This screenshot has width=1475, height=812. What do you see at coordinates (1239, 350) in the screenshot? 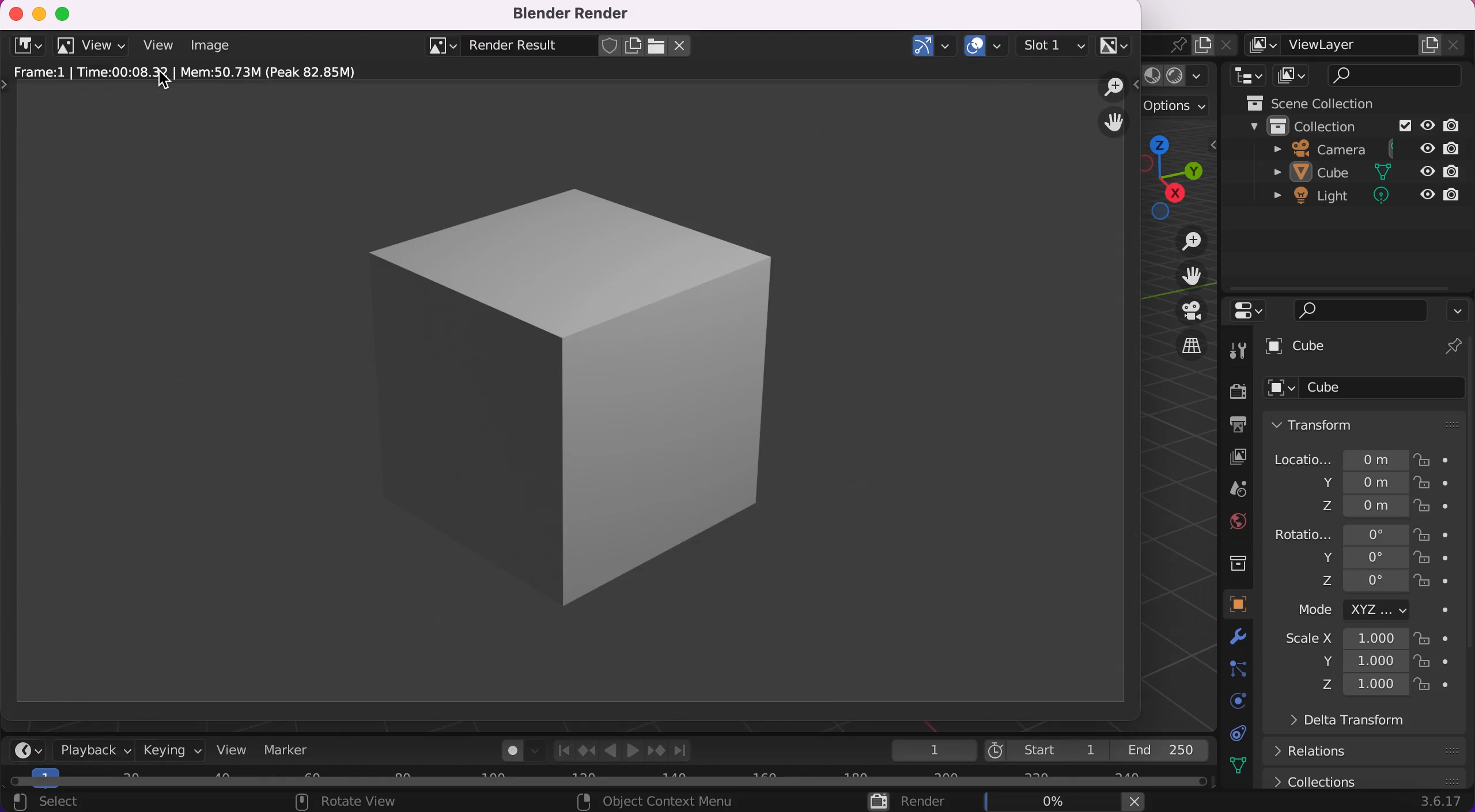
I see `tools` at bounding box center [1239, 350].